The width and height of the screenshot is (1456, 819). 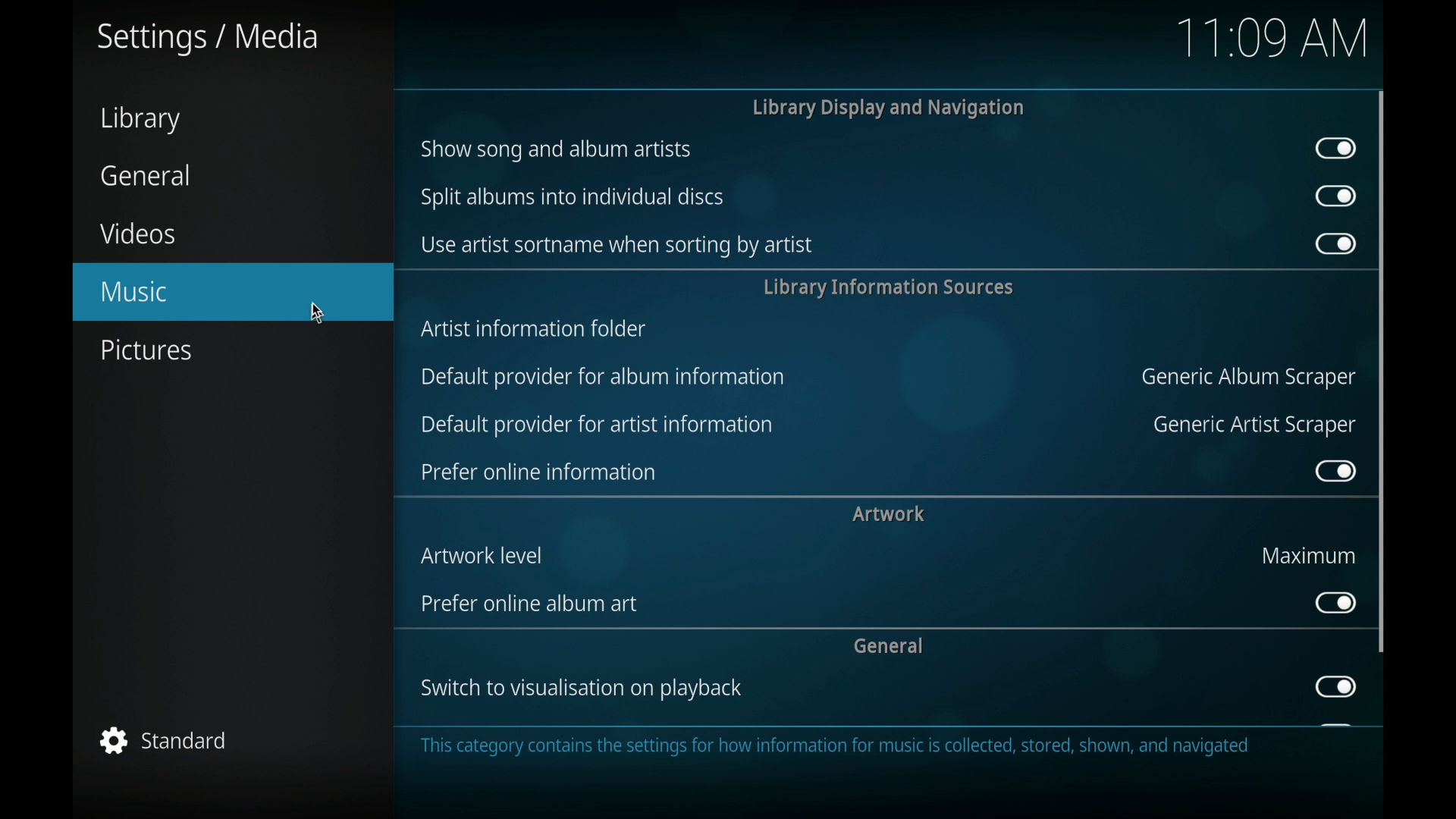 What do you see at coordinates (538, 472) in the screenshot?
I see `prefer online information` at bounding box center [538, 472].